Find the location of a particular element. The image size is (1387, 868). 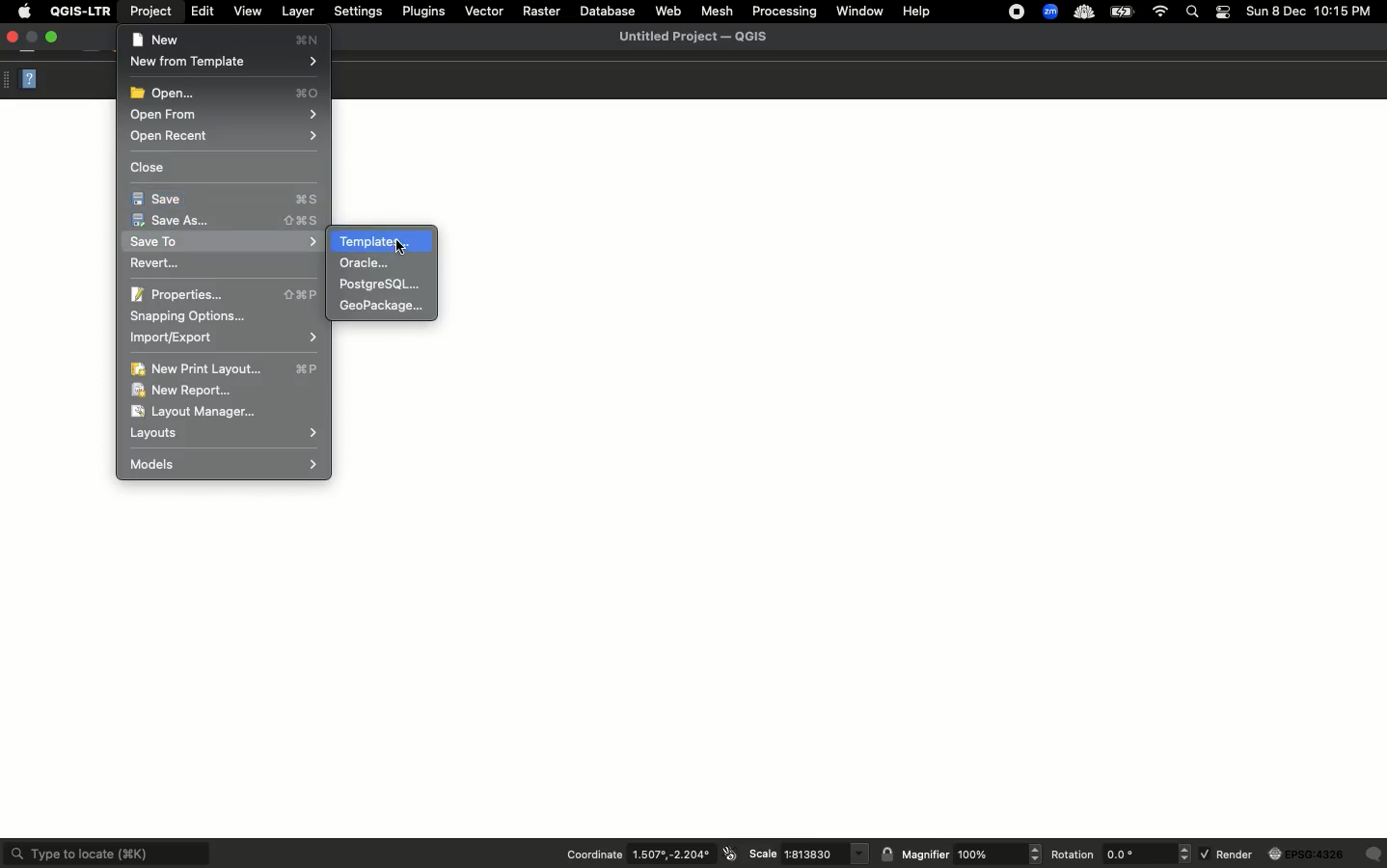

Save as is located at coordinates (224, 222).